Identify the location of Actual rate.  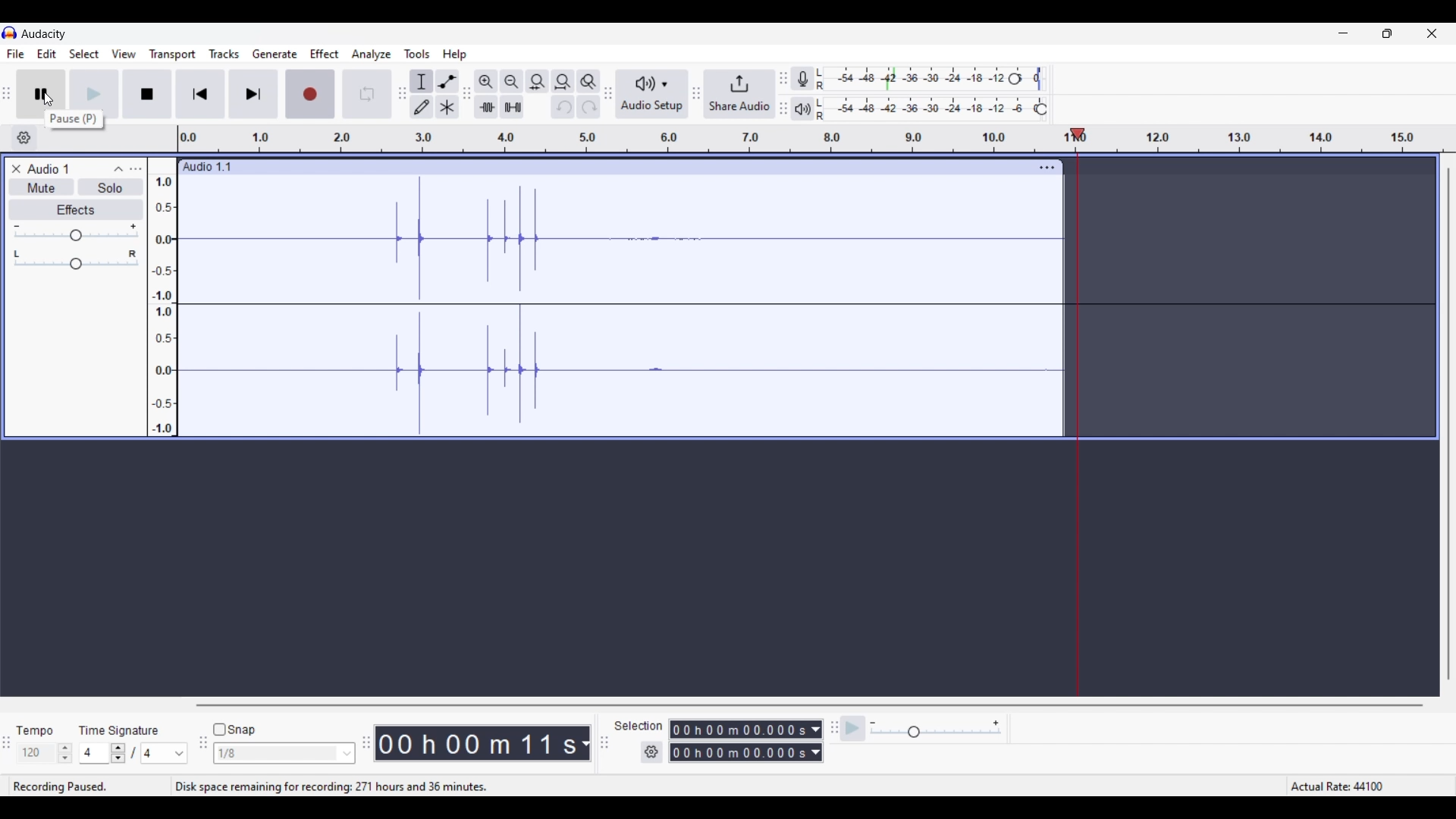
(1365, 786).